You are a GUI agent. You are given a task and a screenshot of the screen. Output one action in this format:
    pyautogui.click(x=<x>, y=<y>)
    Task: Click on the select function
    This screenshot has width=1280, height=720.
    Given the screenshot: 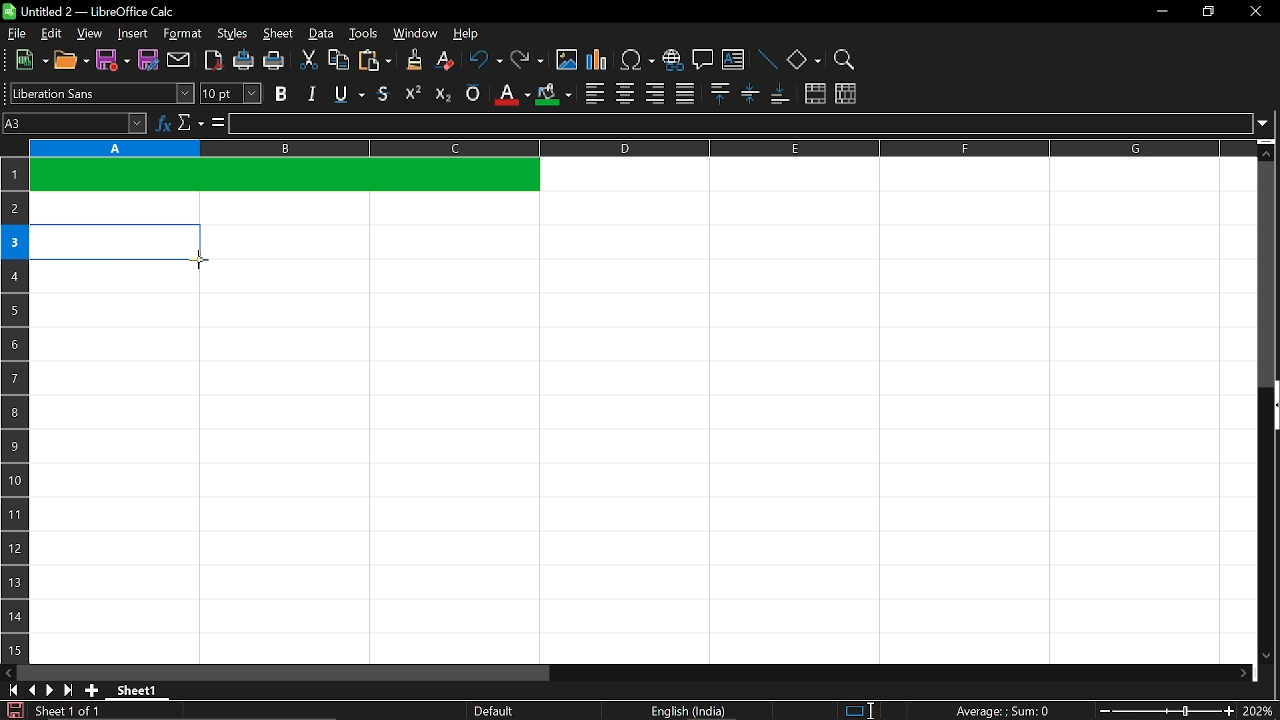 What is the action you would take?
    pyautogui.click(x=190, y=124)
    